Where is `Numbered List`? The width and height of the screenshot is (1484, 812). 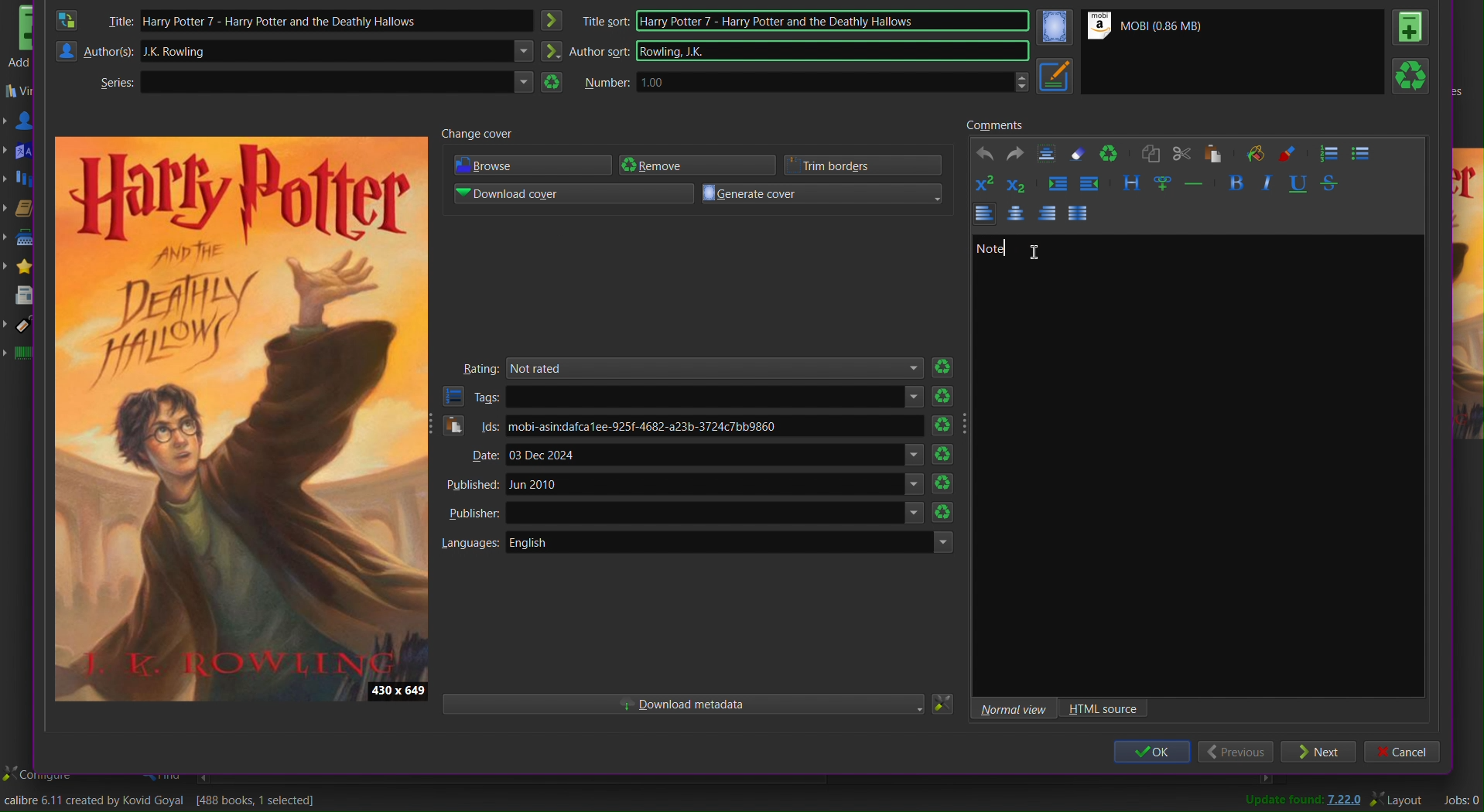 Numbered List is located at coordinates (1331, 153).